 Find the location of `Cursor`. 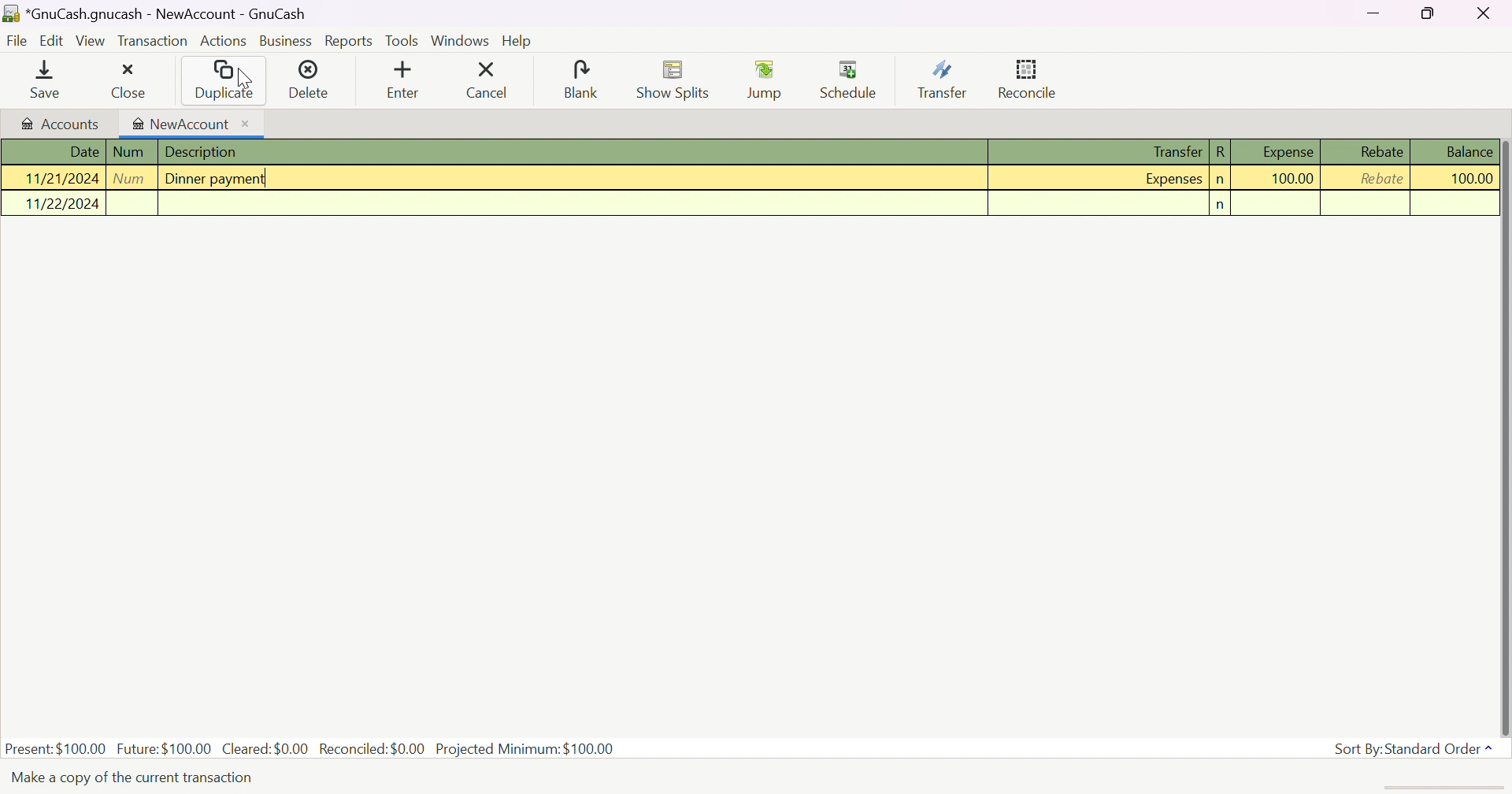

Cursor is located at coordinates (244, 78).